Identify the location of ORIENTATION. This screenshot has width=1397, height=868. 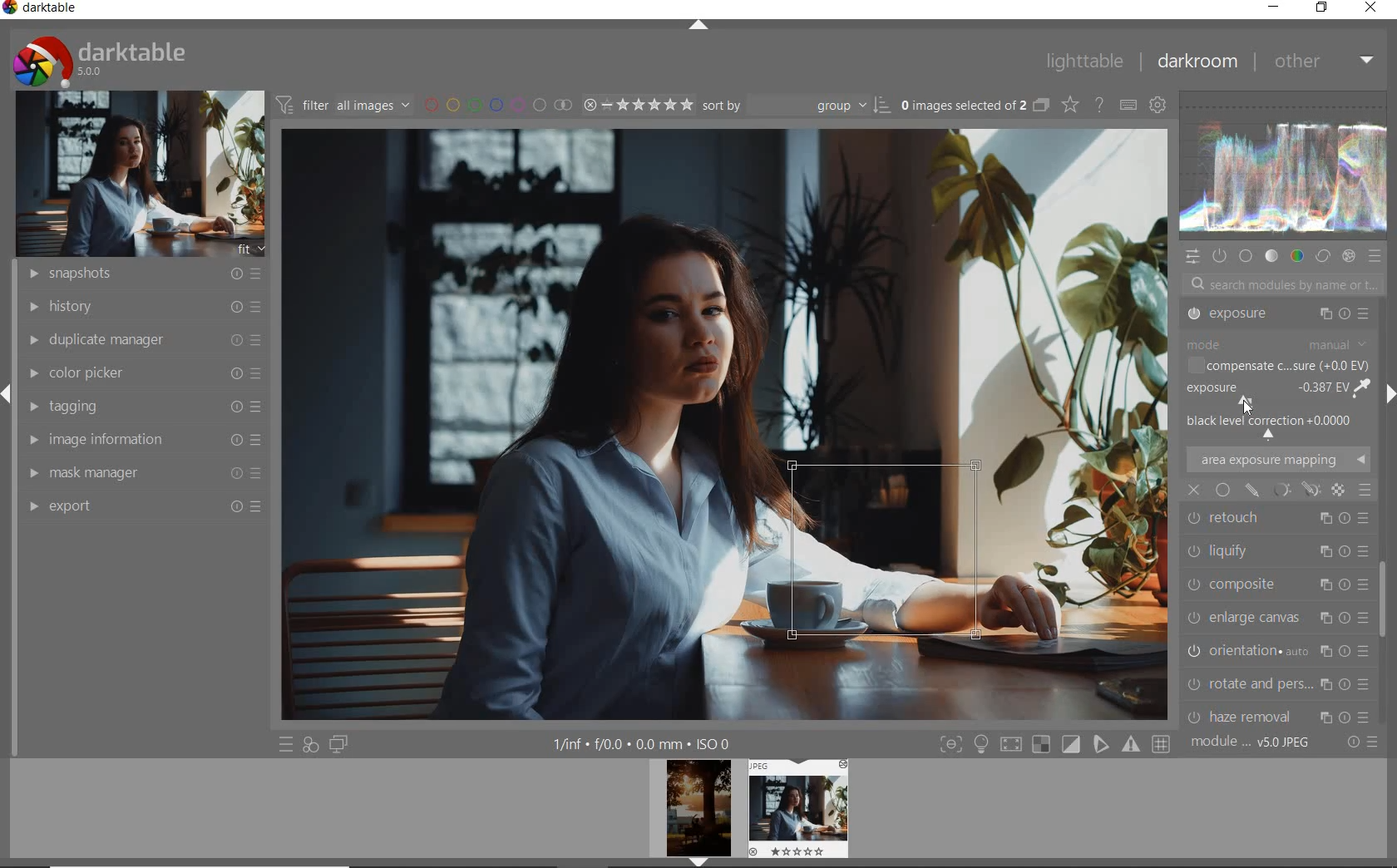
(1281, 547).